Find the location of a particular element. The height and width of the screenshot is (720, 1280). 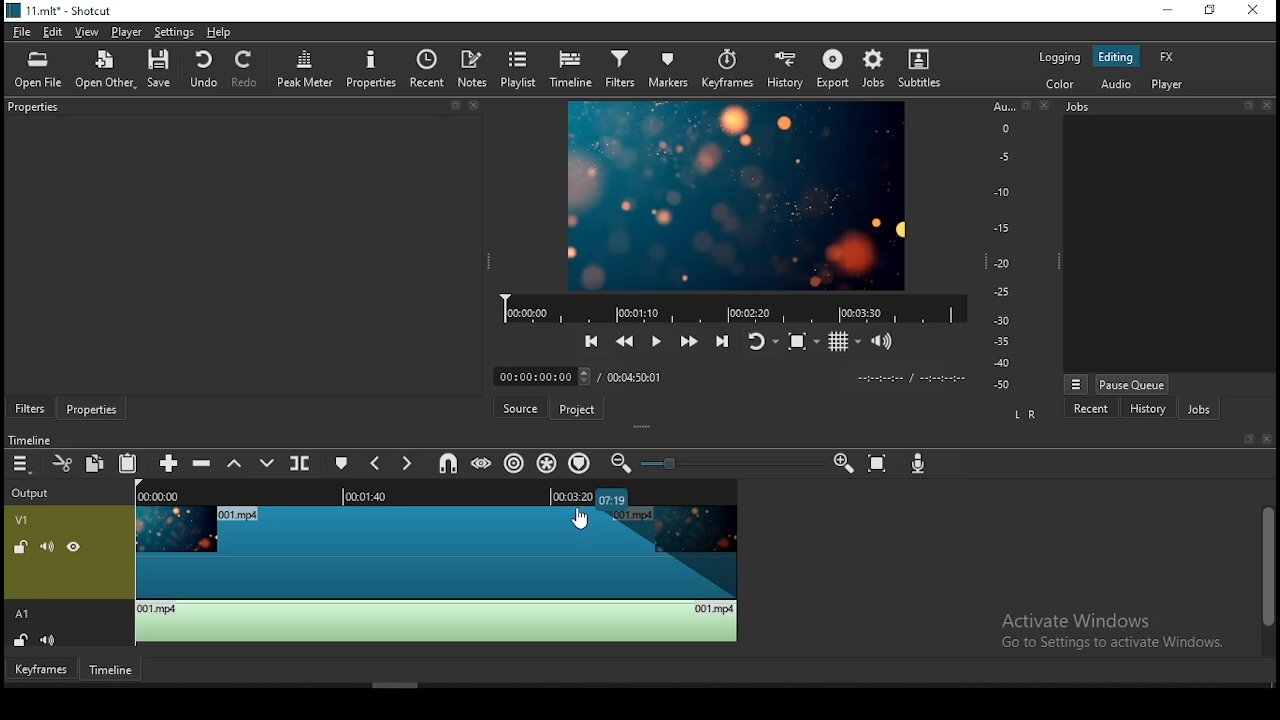

recent is located at coordinates (1091, 410).